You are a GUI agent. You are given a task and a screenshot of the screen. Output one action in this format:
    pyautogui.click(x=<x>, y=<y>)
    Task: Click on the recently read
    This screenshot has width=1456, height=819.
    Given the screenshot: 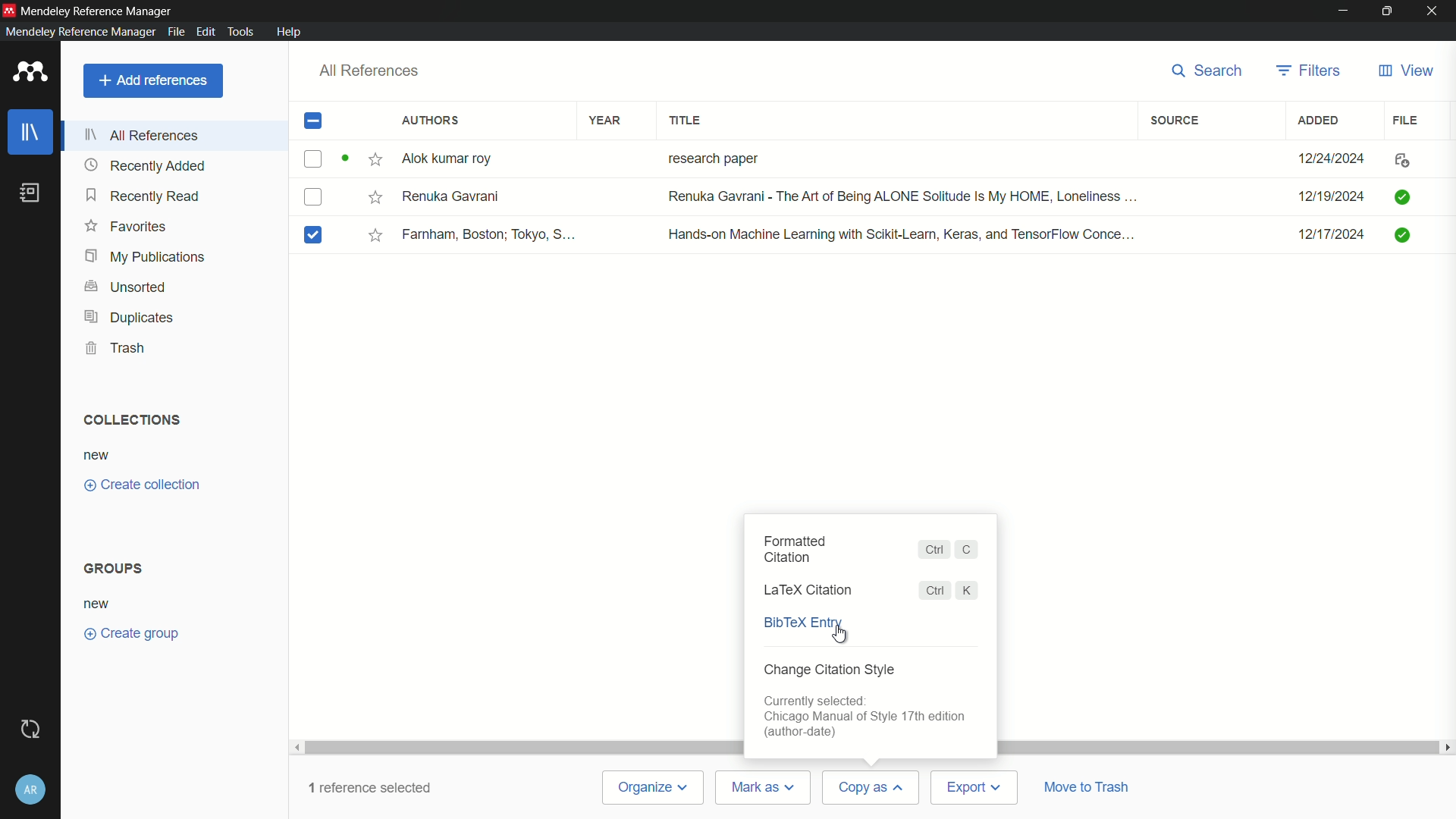 What is the action you would take?
    pyautogui.click(x=143, y=196)
    